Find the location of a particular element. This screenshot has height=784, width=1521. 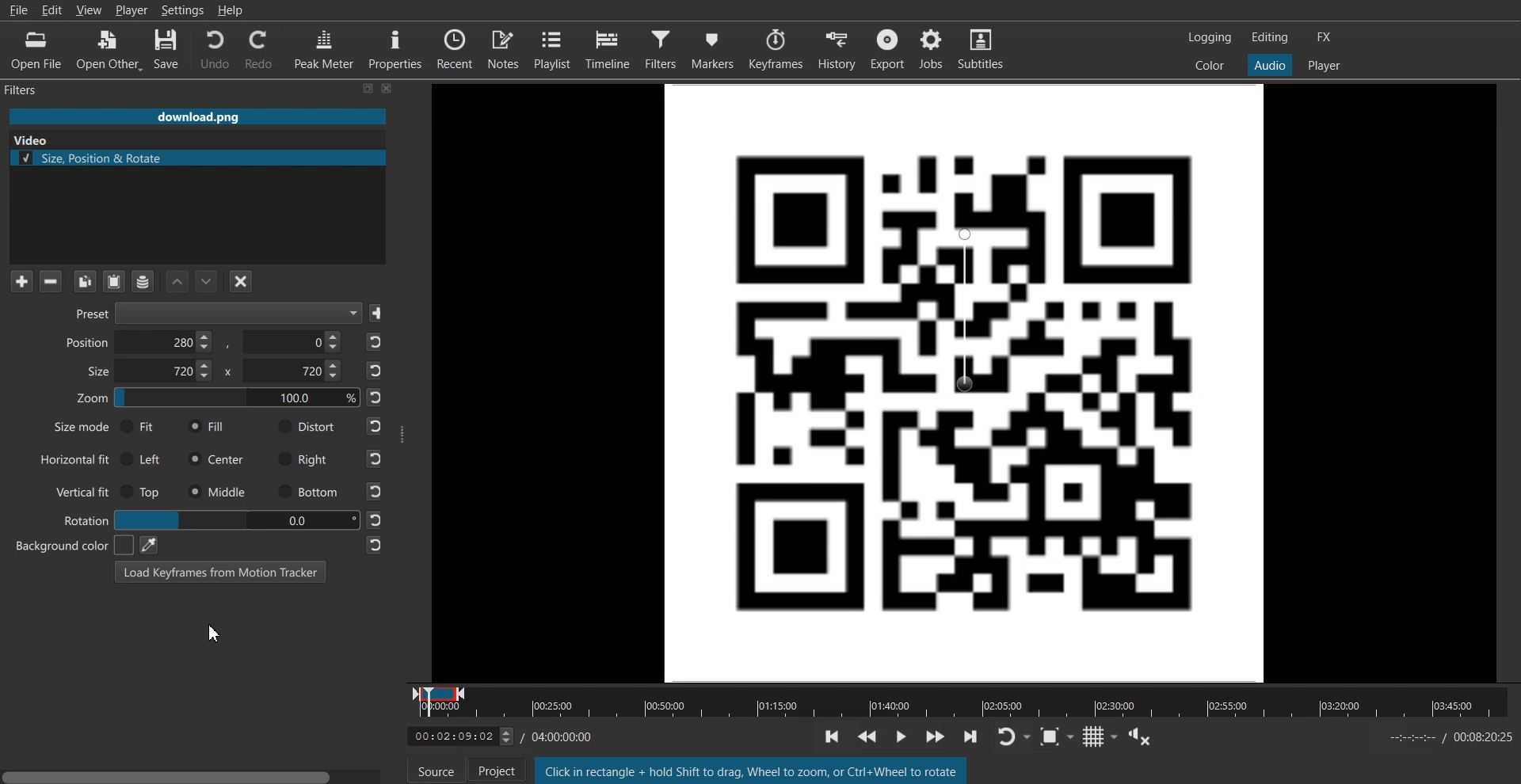

Fill is located at coordinates (207, 427).